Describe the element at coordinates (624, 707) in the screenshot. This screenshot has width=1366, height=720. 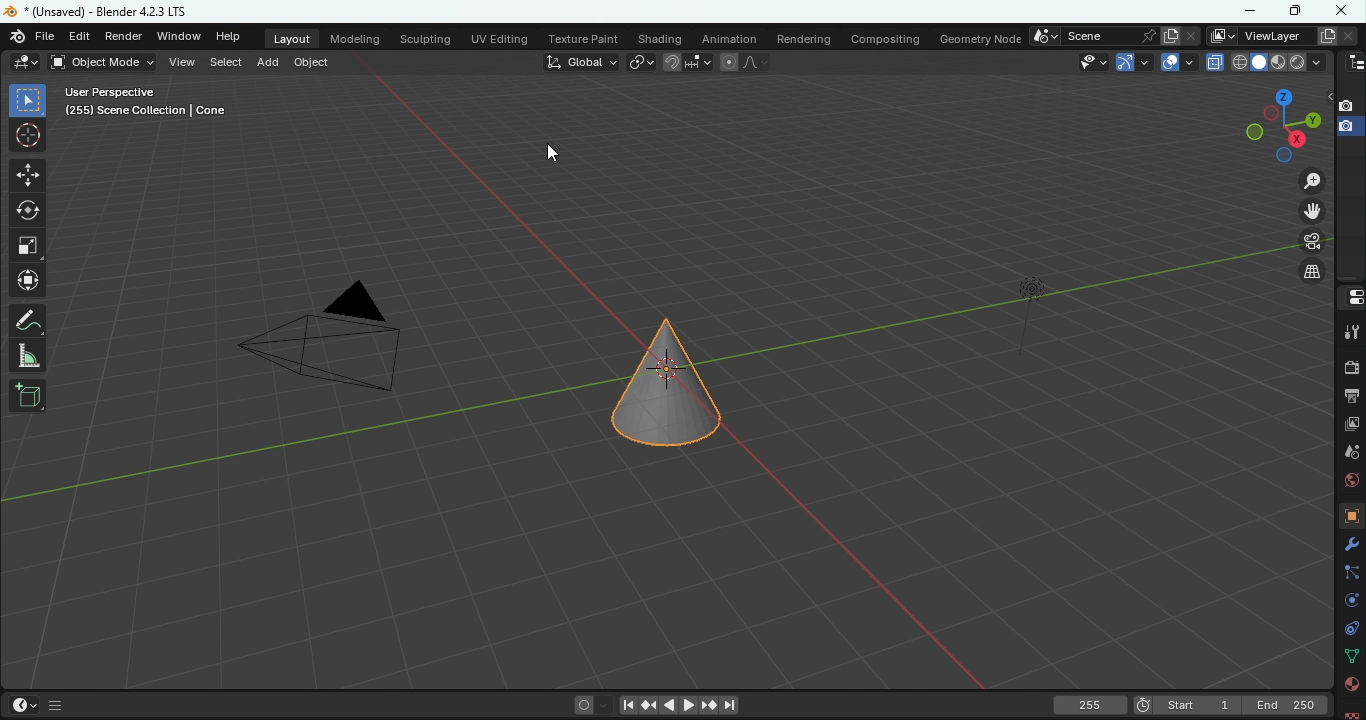
I see `Jump to first/last frame in frame range` at that location.